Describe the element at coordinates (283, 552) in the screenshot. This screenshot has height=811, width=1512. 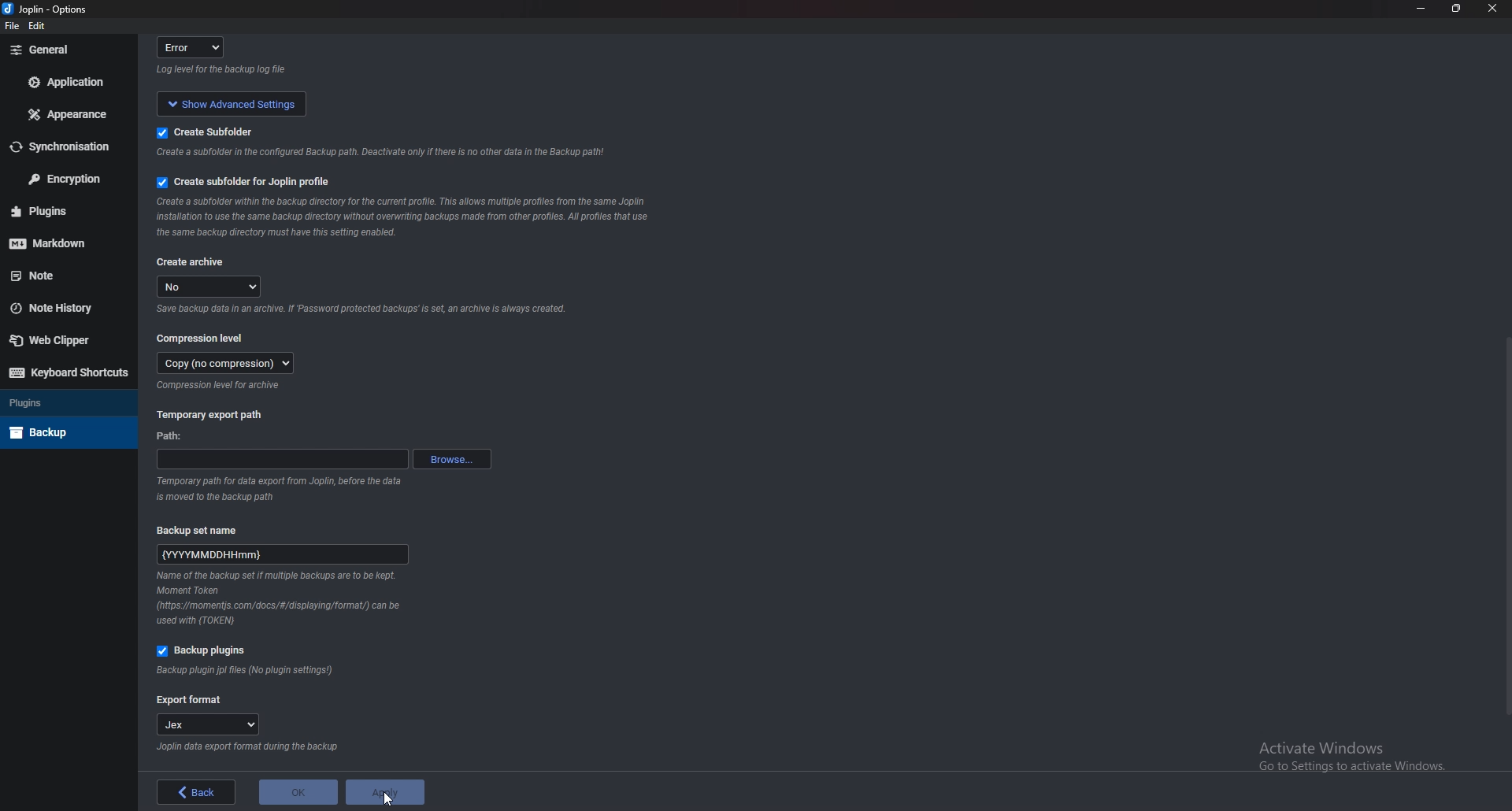
I see `name` at that location.